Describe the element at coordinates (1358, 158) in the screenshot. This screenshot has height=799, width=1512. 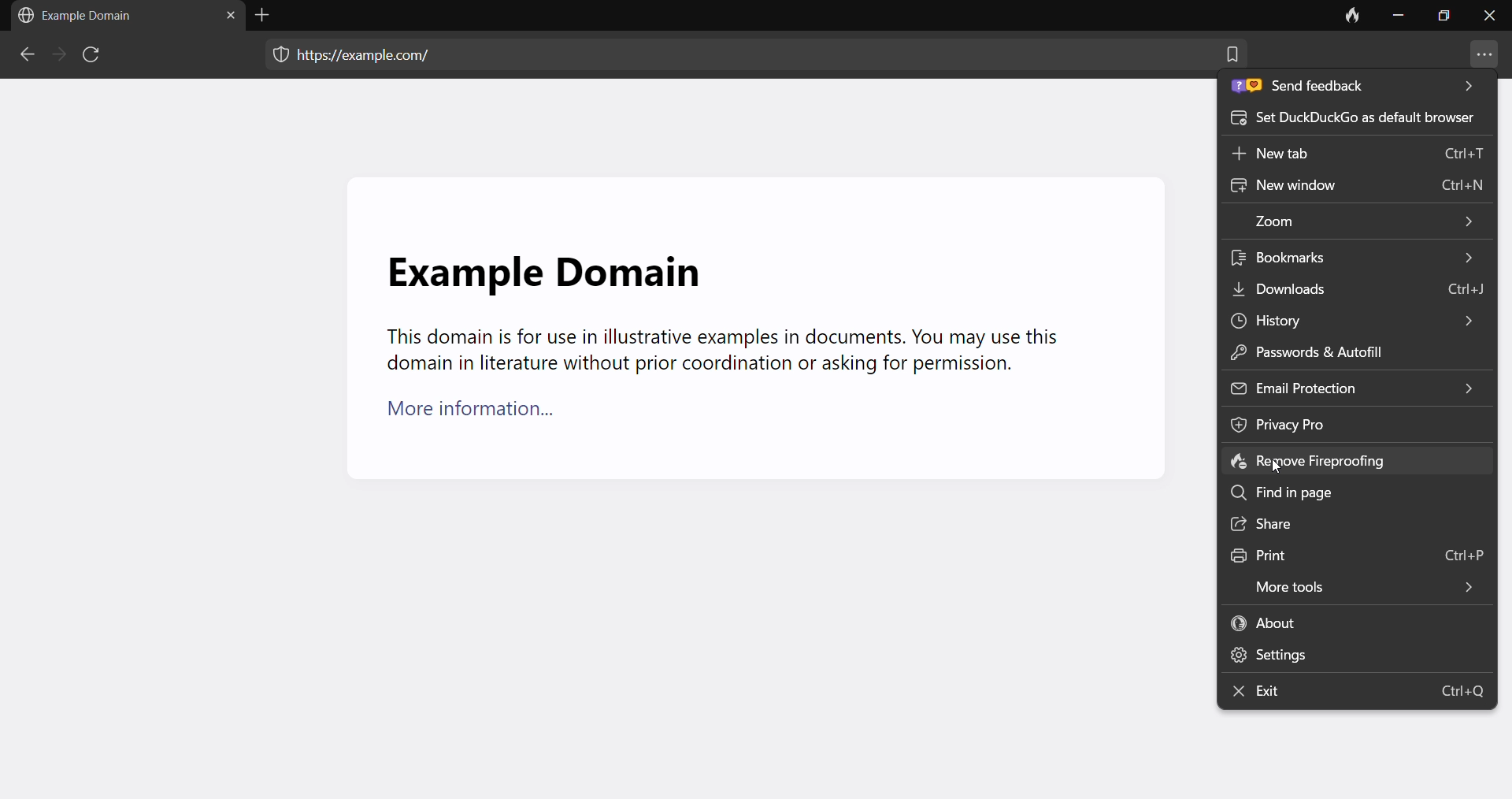
I see `new tab` at that location.